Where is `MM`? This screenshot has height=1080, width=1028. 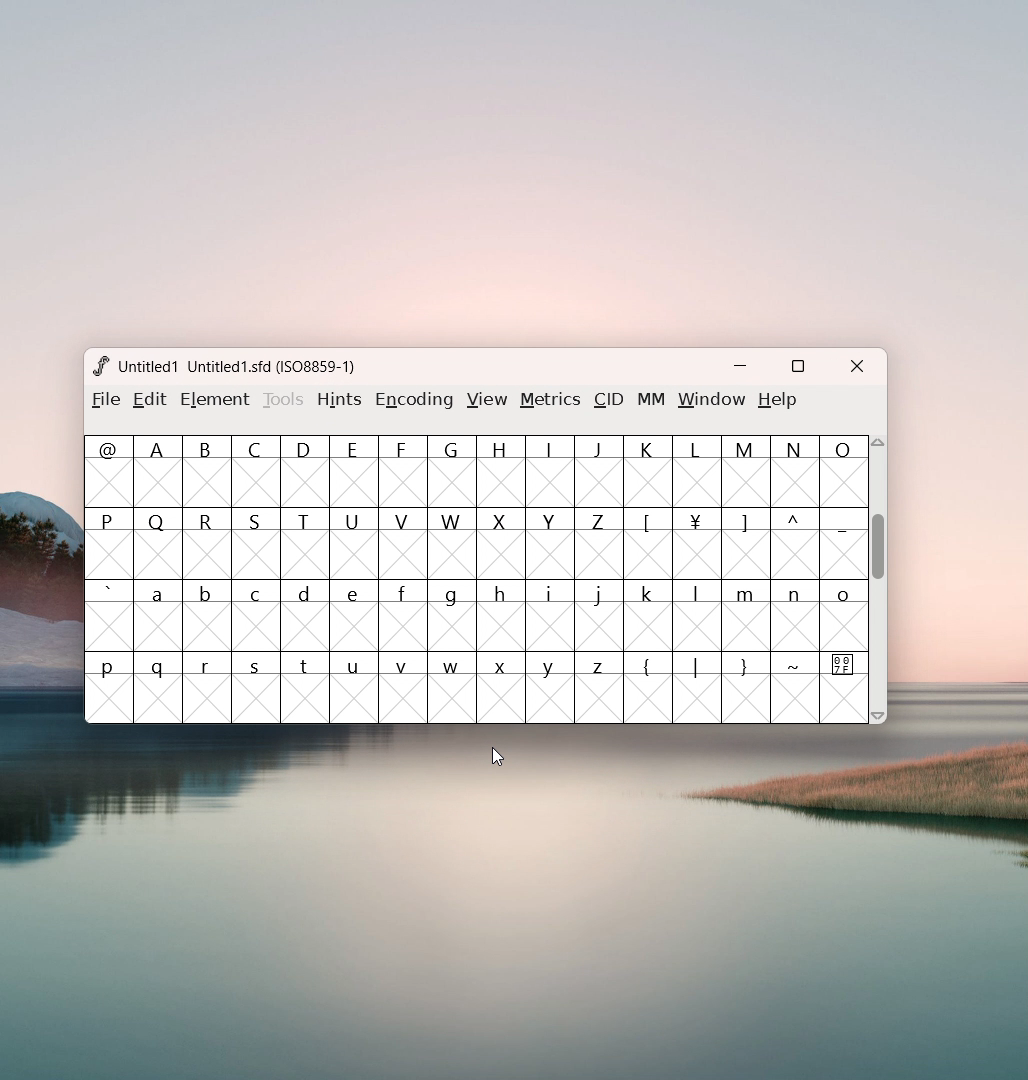
MM is located at coordinates (651, 398).